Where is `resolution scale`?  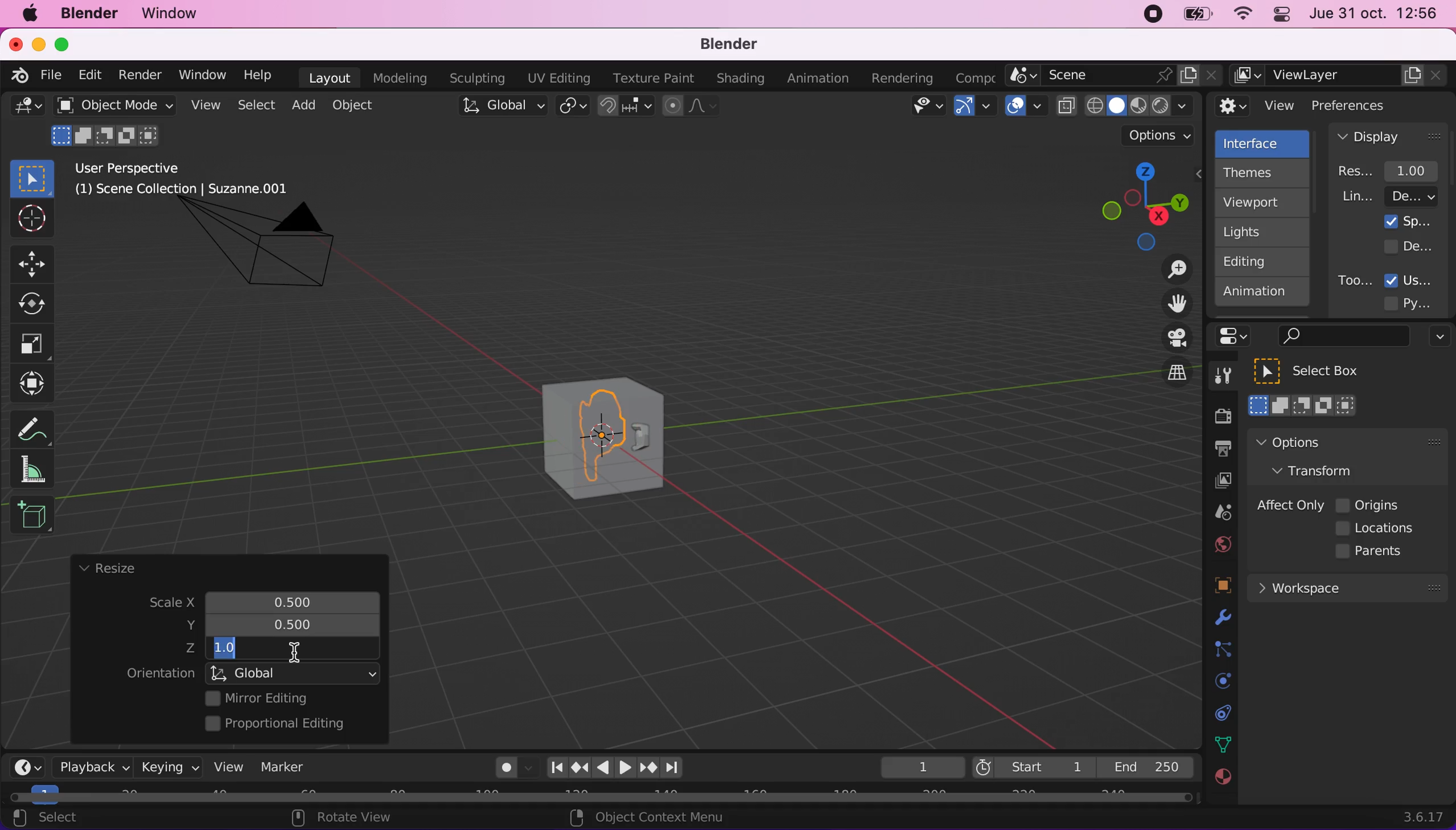
resolution scale is located at coordinates (1394, 170).